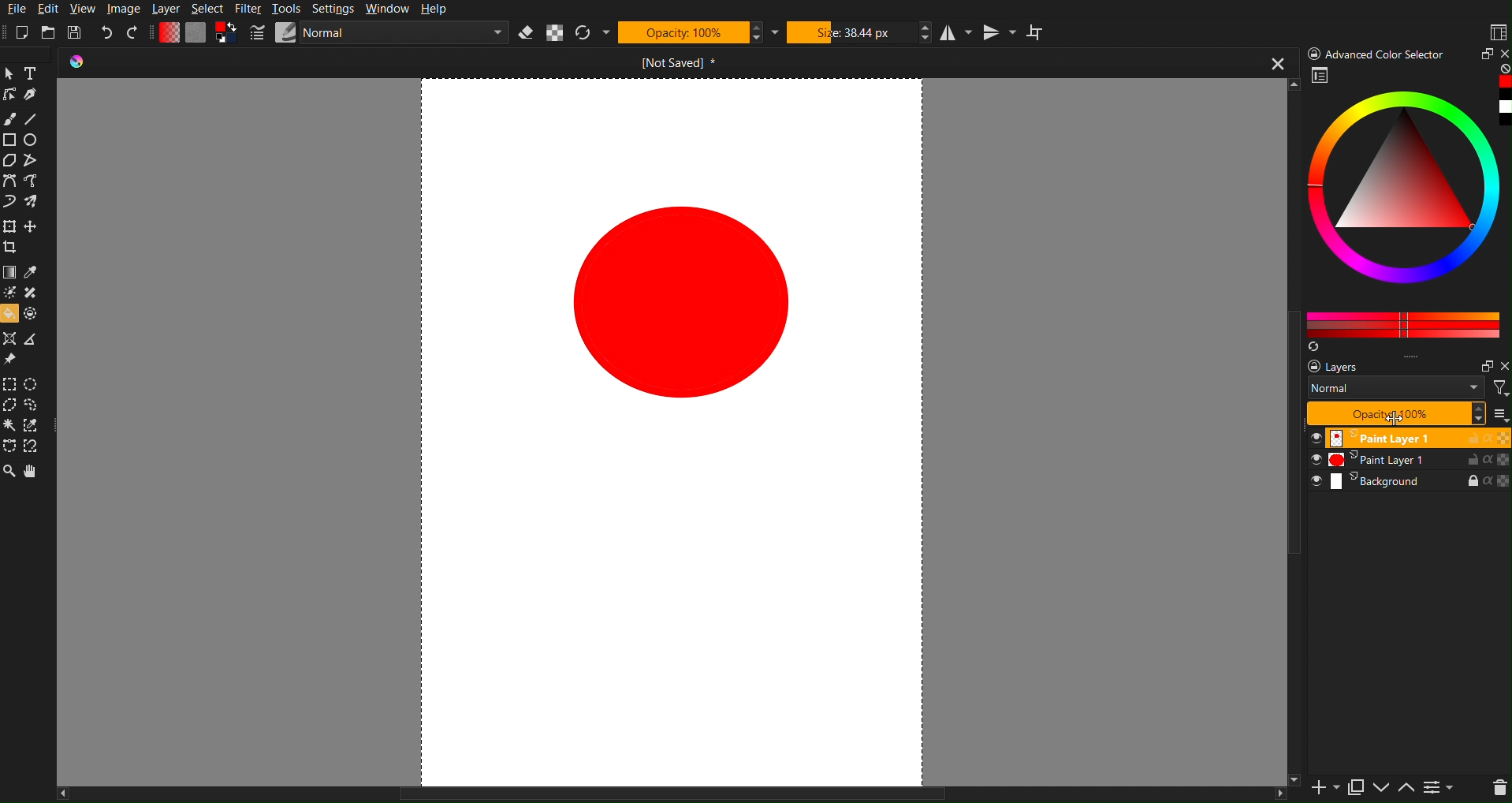 This screenshot has height=803, width=1512. Describe the element at coordinates (35, 342) in the screenshot. I see `Measure` at that location.